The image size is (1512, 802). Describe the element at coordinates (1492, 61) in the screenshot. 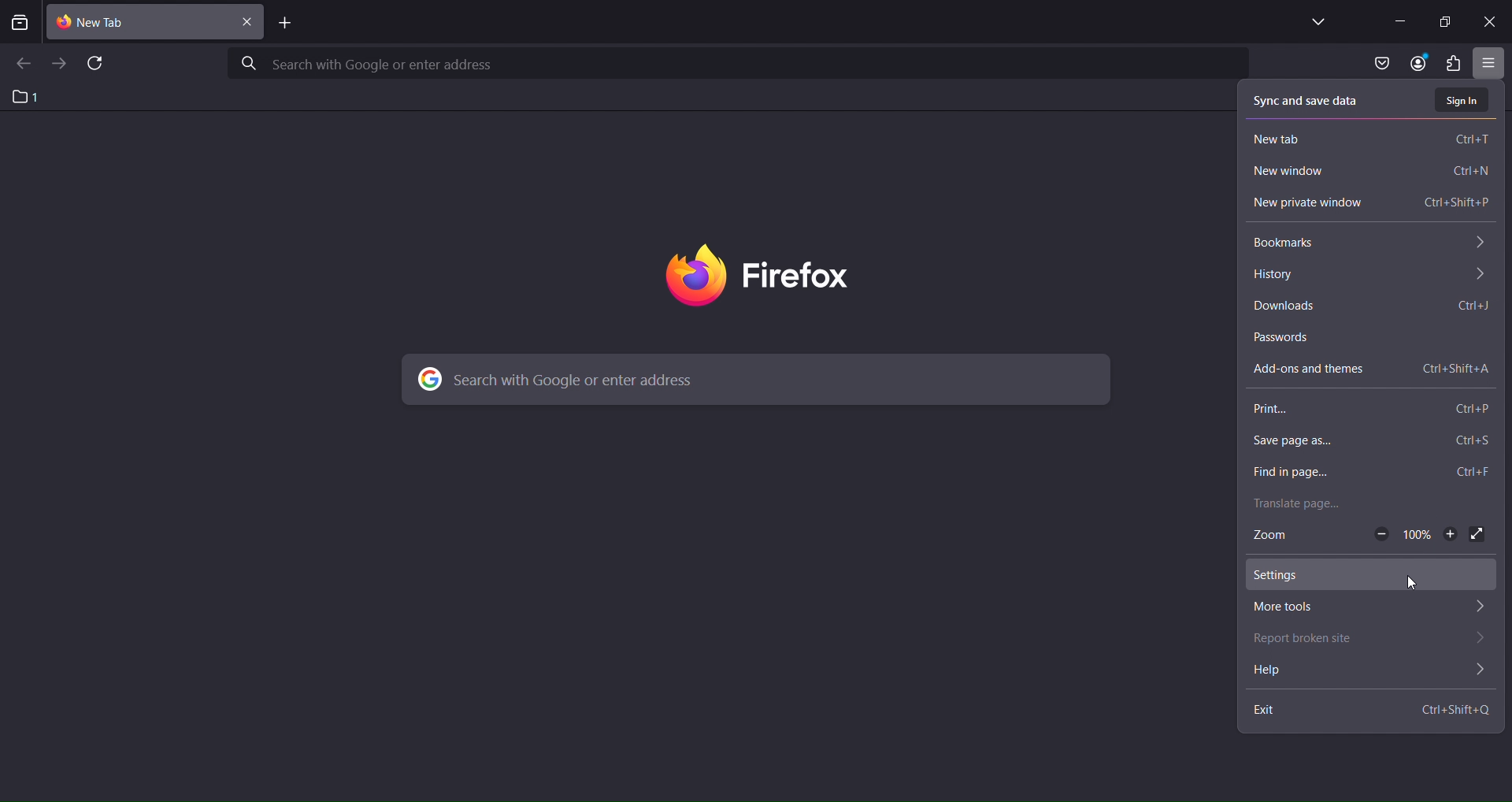

I see `open application menu` at that location.